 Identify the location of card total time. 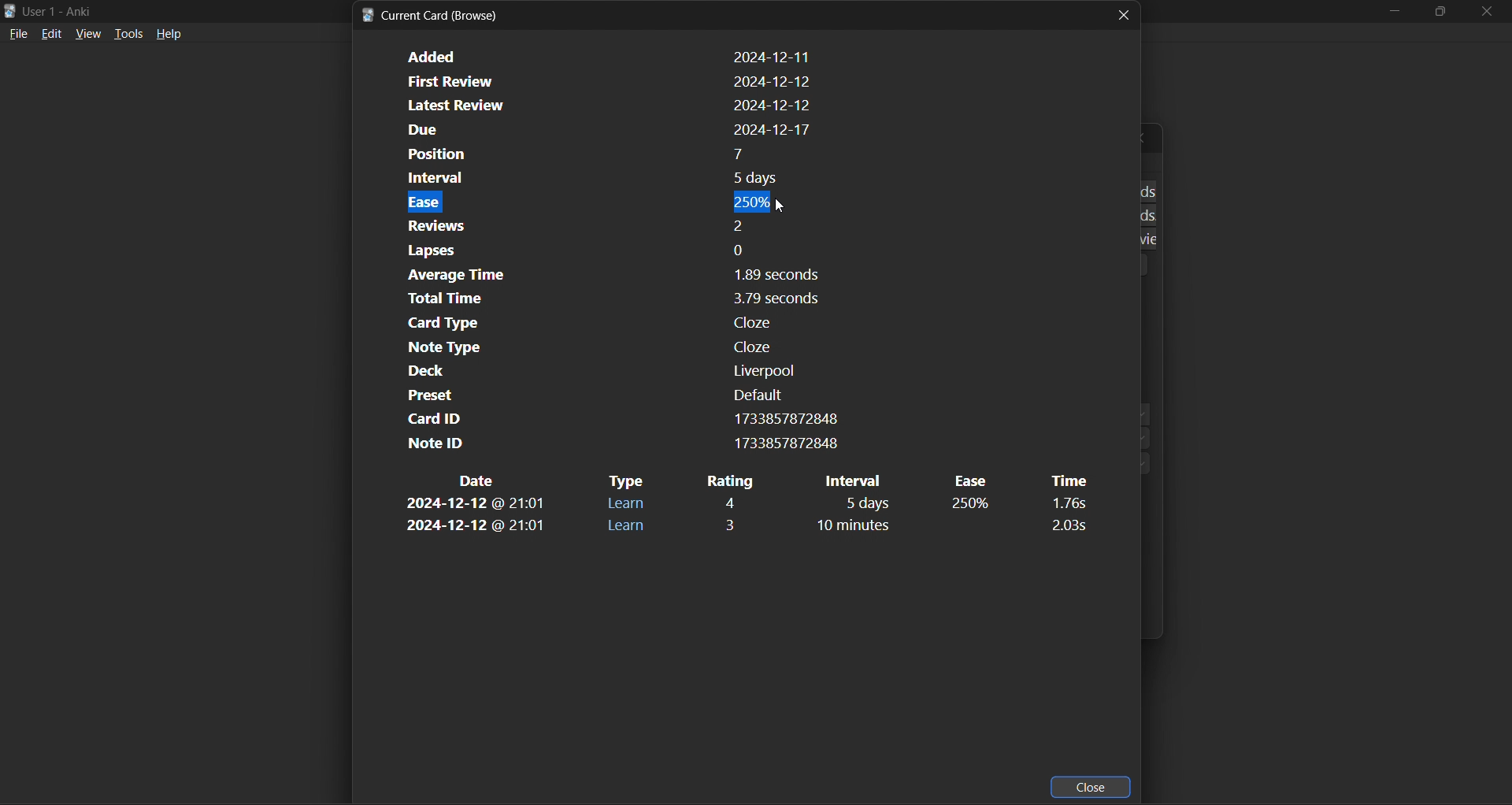
(600, 299).